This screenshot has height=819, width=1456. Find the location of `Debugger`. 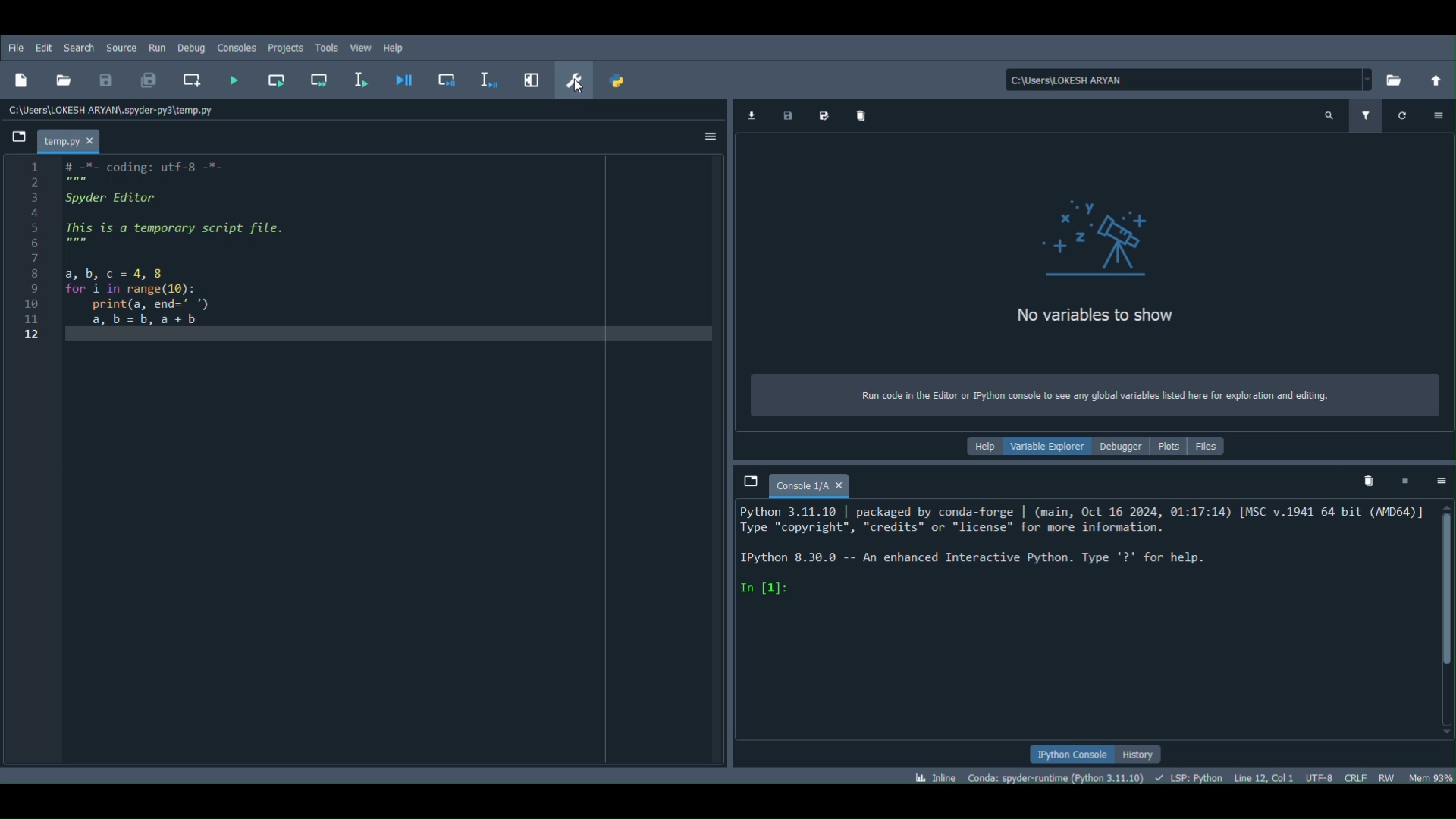

Debugger is located at coordinates (1122, 447).